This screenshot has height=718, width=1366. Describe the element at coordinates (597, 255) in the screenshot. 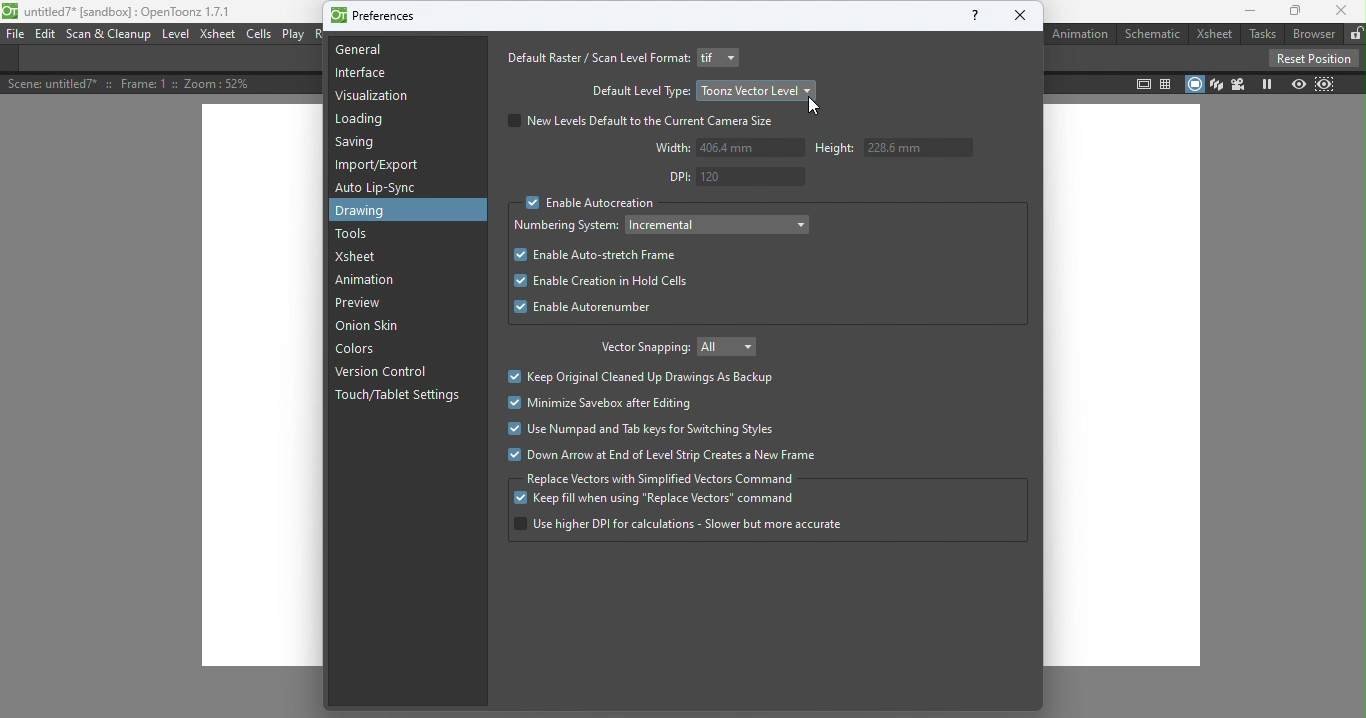

I see `Enable auto-stretch frame` at that location.